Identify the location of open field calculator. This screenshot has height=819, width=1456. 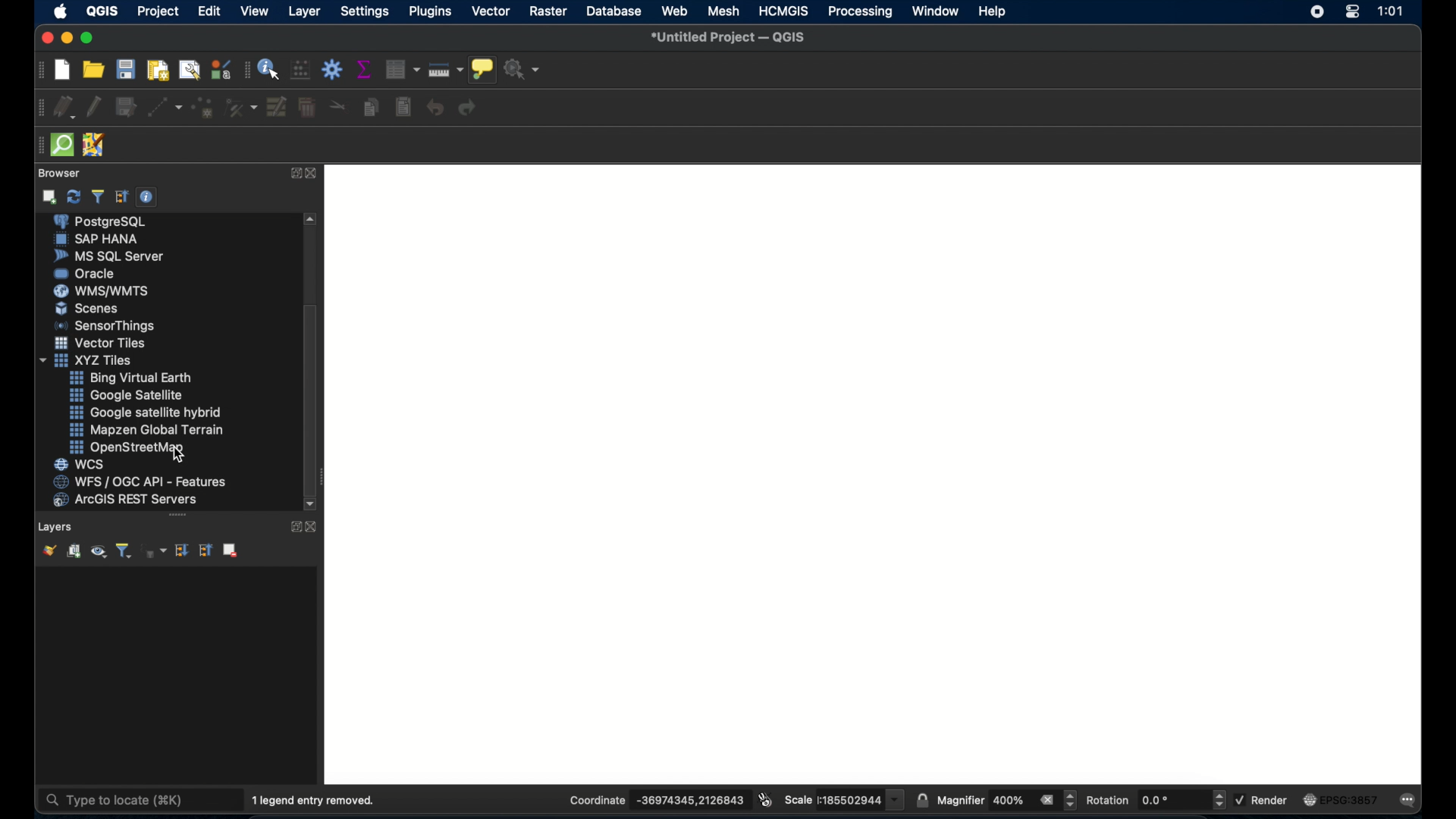
(300, 70).